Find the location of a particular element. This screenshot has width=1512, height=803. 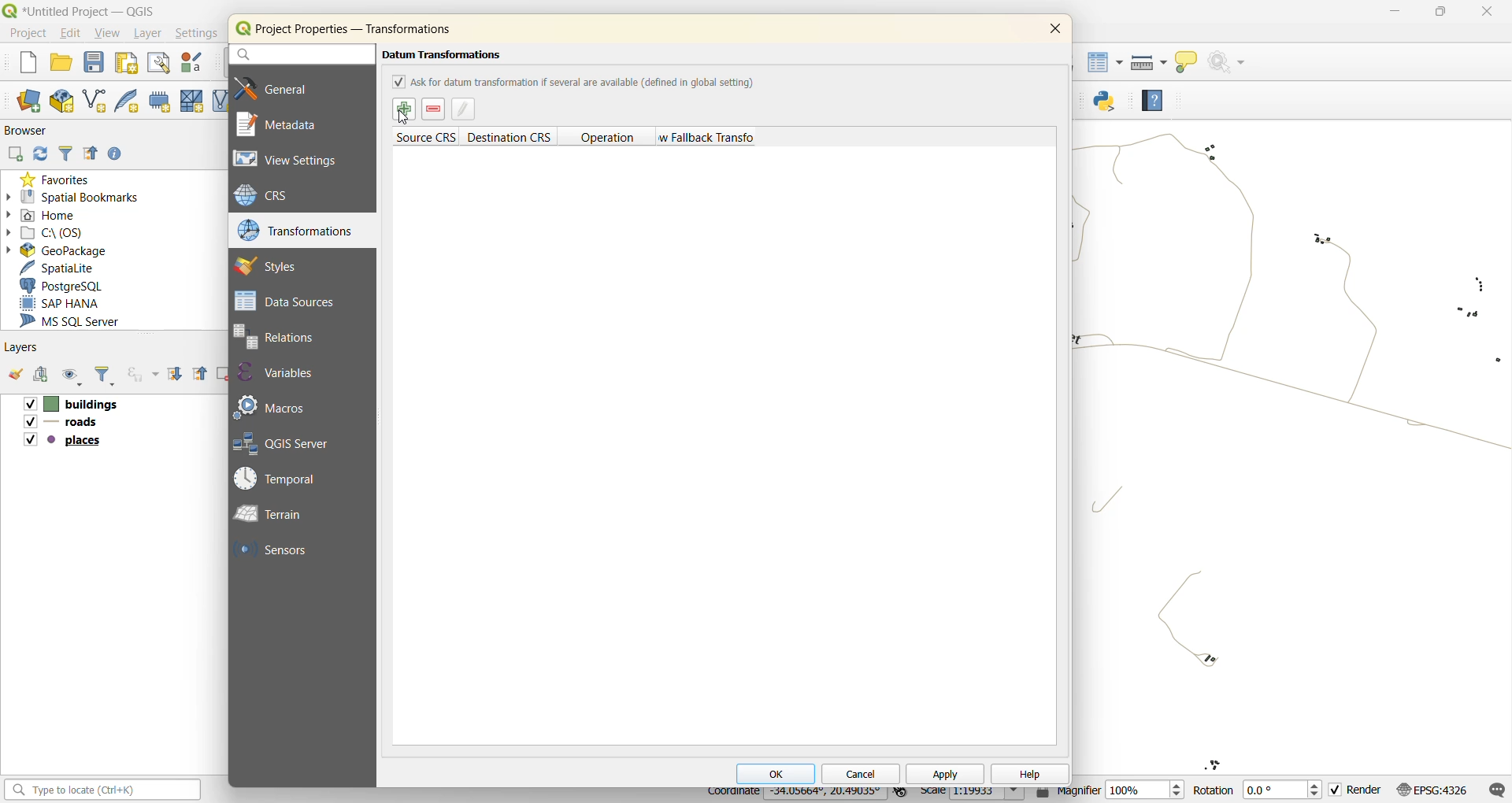

home is located at coordinates (49, 213).